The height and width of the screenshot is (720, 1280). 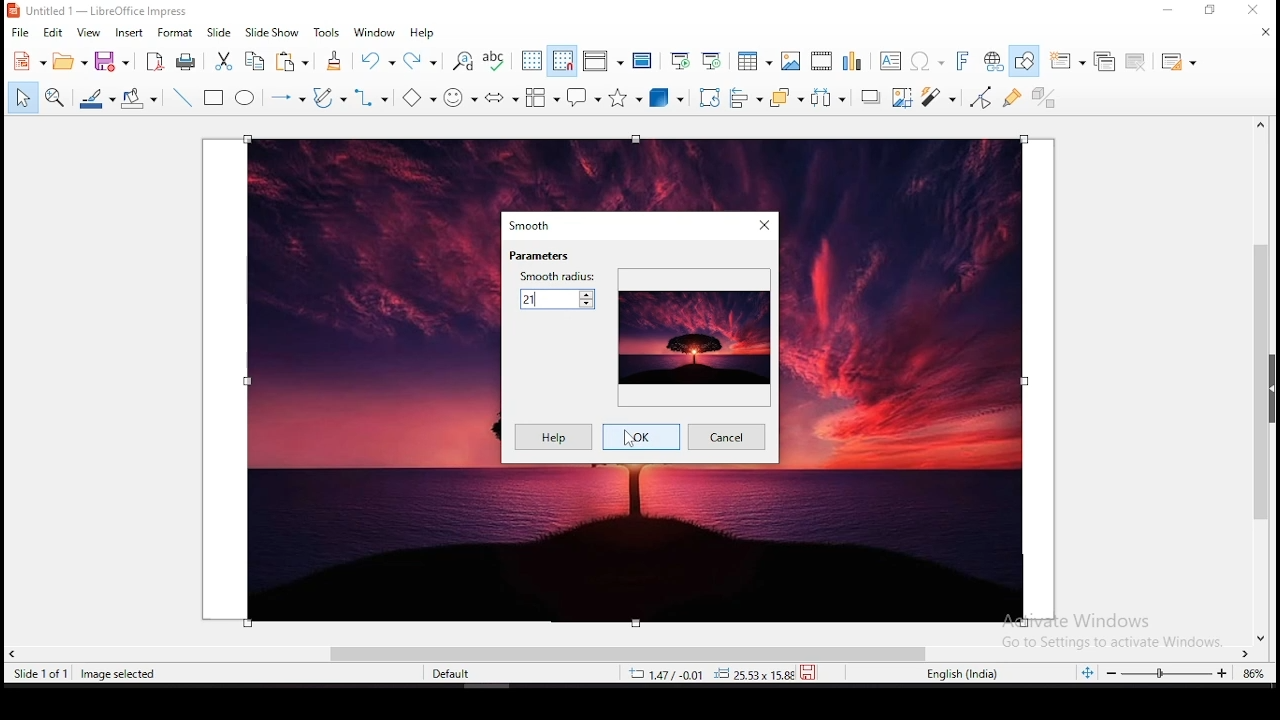 I want to click on restore, so click(x=1212, y=12).